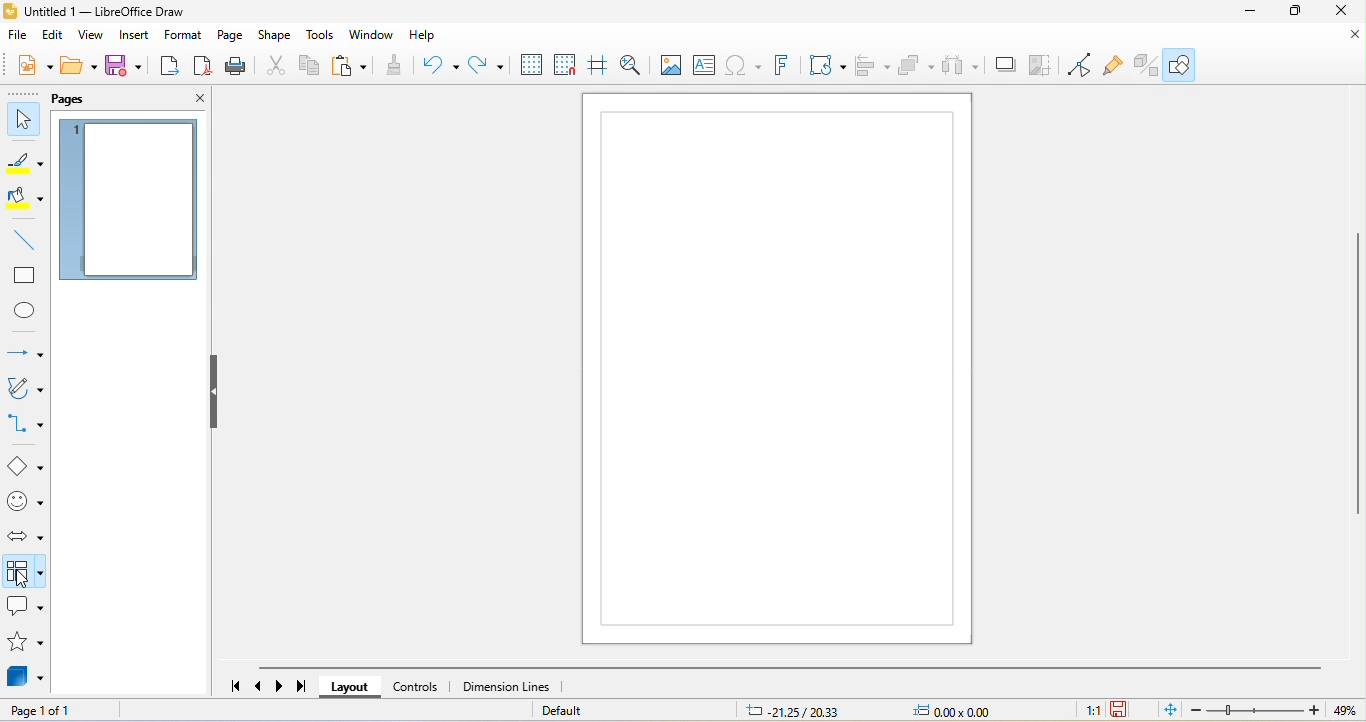  Describe the element at coordinates (828, 67) in the screenshot. I see `transformation` at that location.